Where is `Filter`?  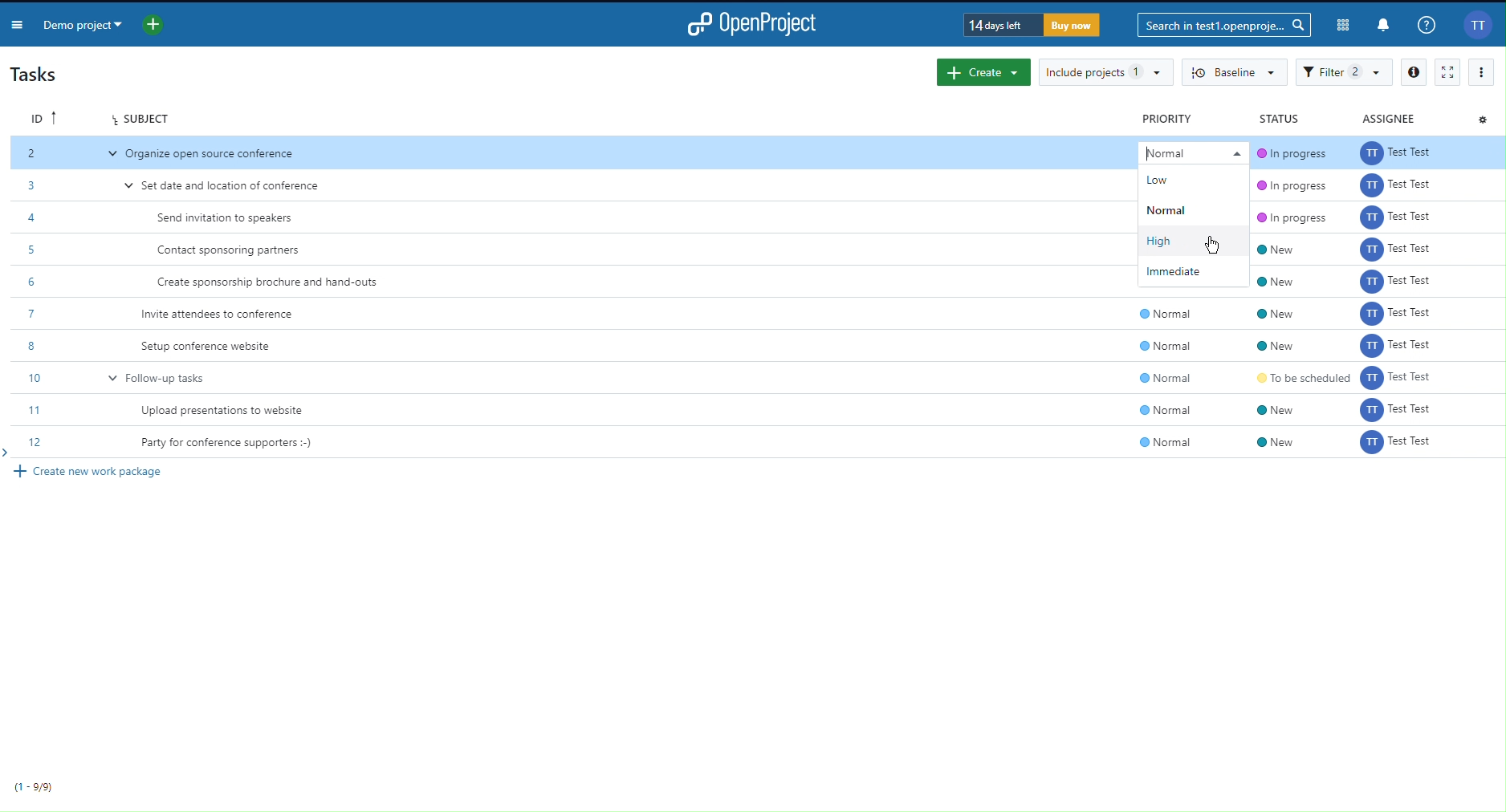
Filter is located at coordinates (1345, 72).